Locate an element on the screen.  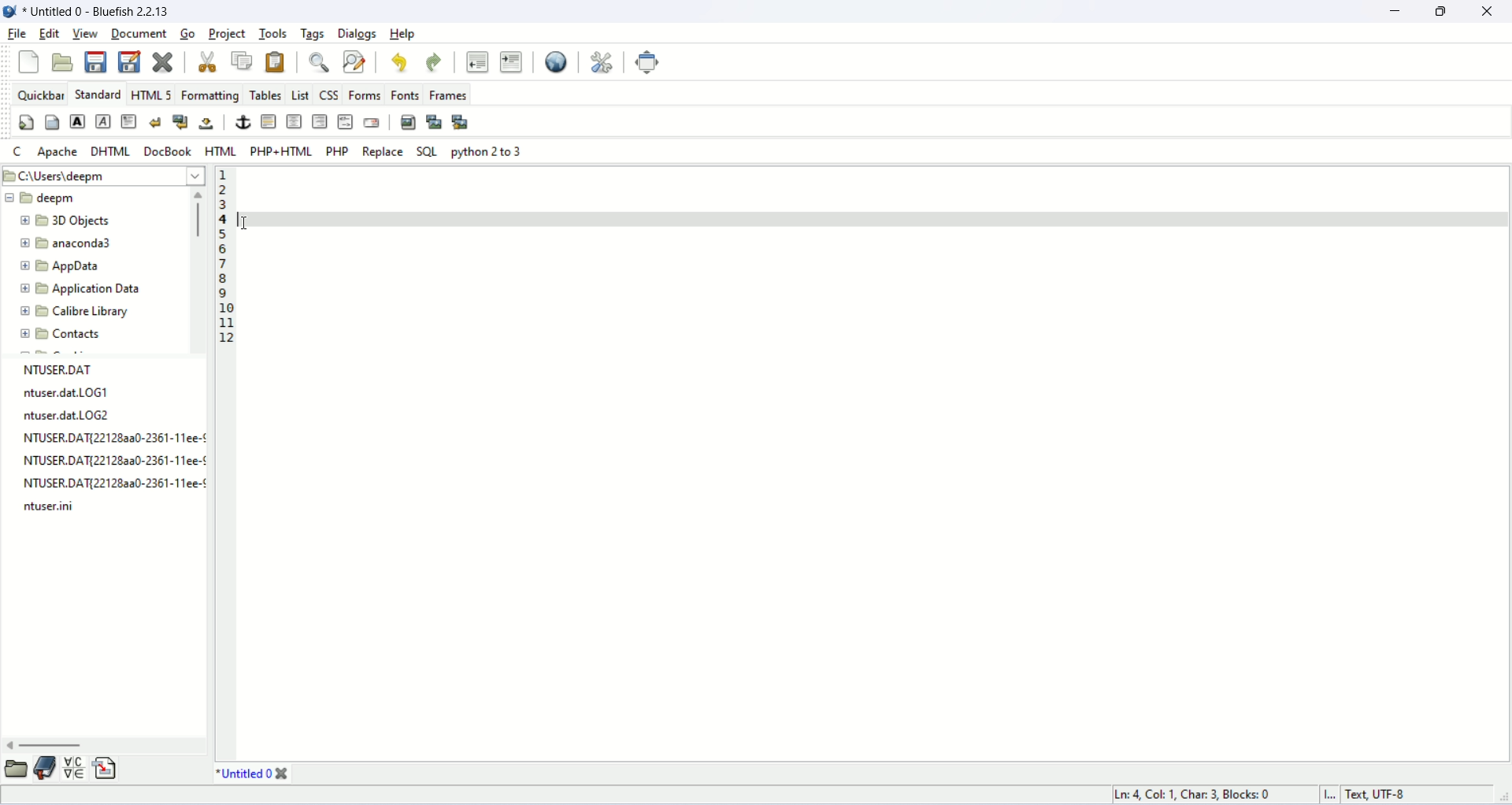
save file is located at coordinates (96, 63).